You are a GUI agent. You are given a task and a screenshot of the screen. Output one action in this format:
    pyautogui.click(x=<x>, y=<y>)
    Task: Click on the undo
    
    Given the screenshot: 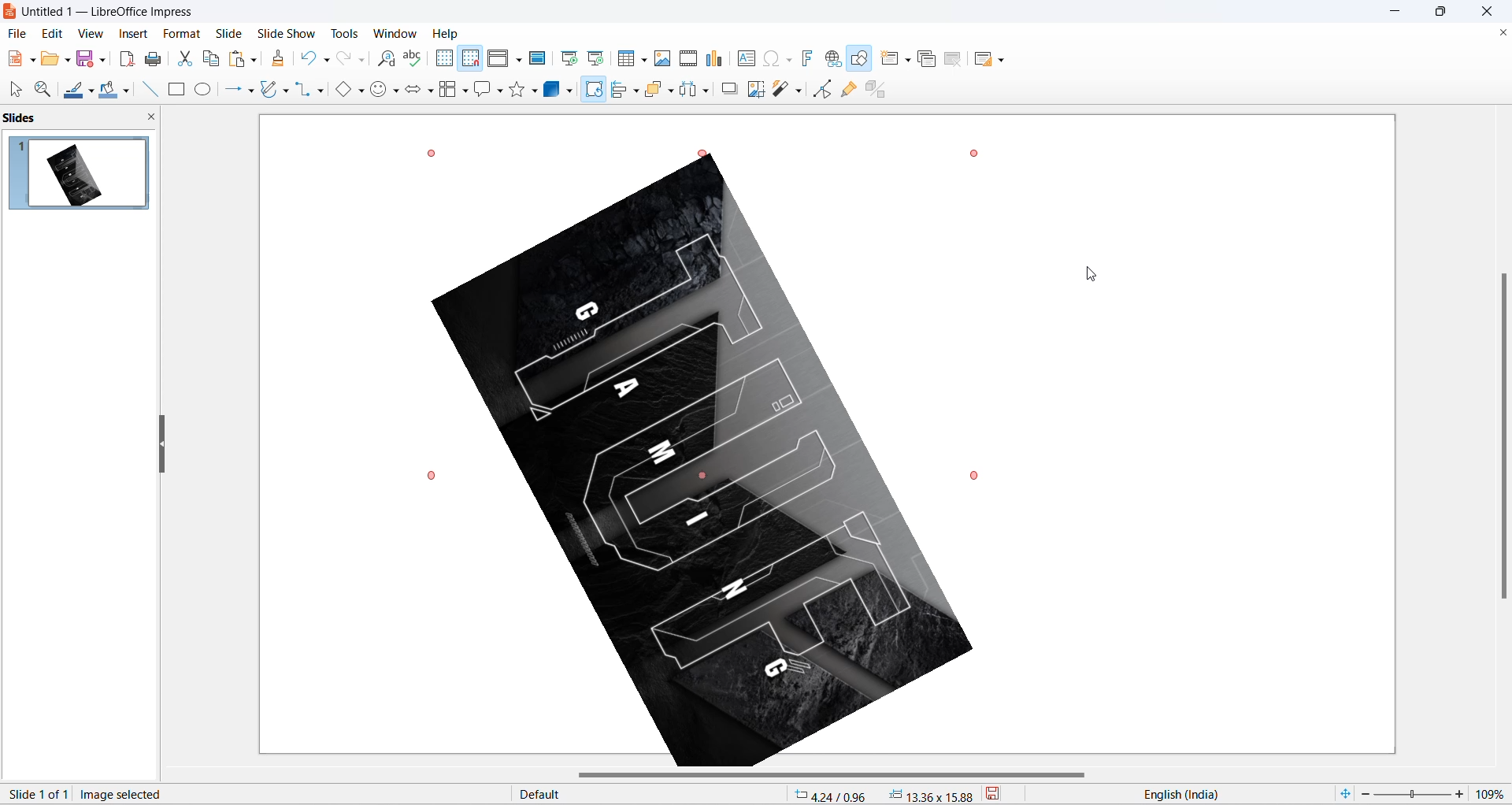 What is the action you would take?
    pyautogui.click(x=309, y=57)
    